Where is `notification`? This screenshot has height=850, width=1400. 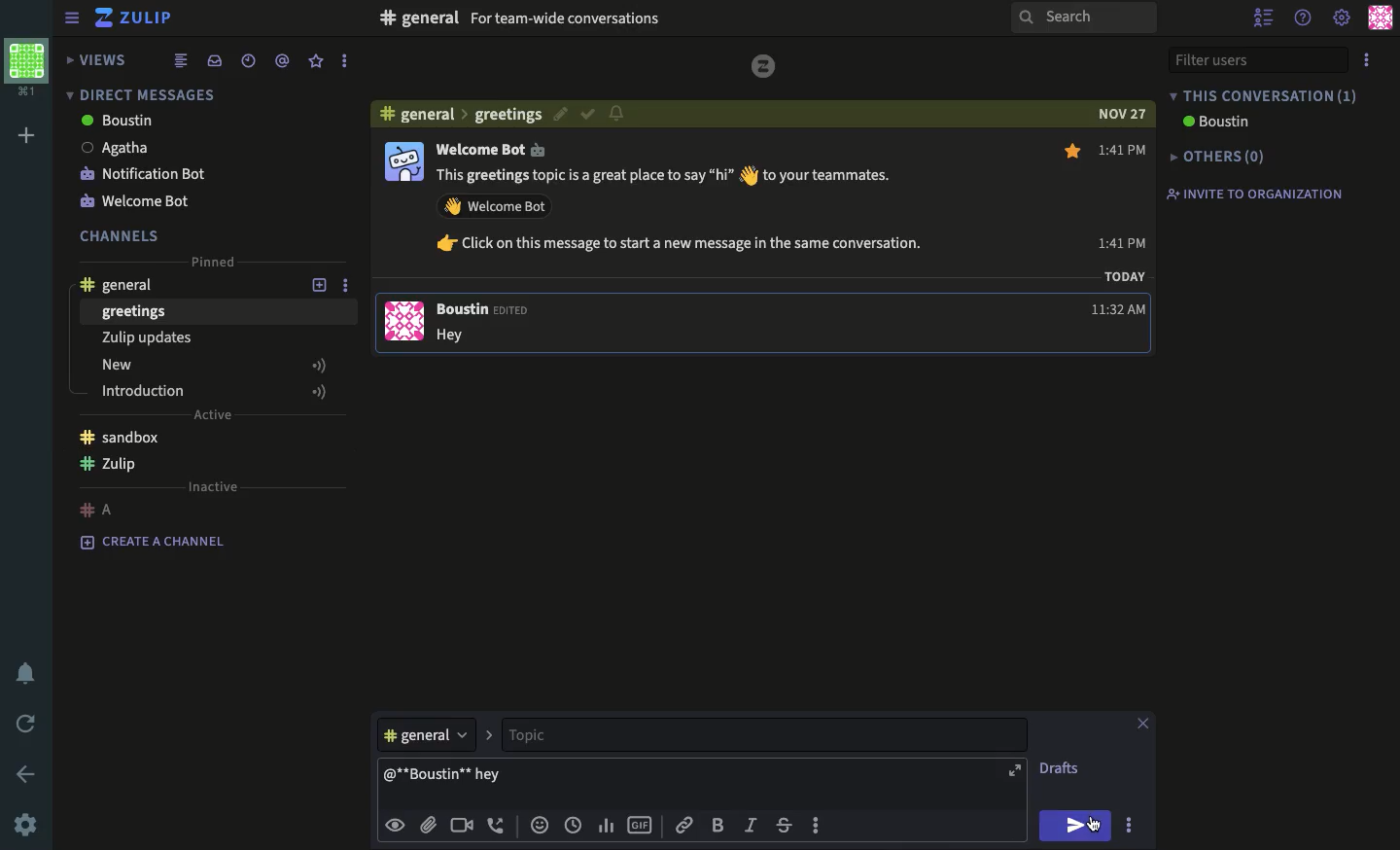 notification is located at coordinates (617, 114).